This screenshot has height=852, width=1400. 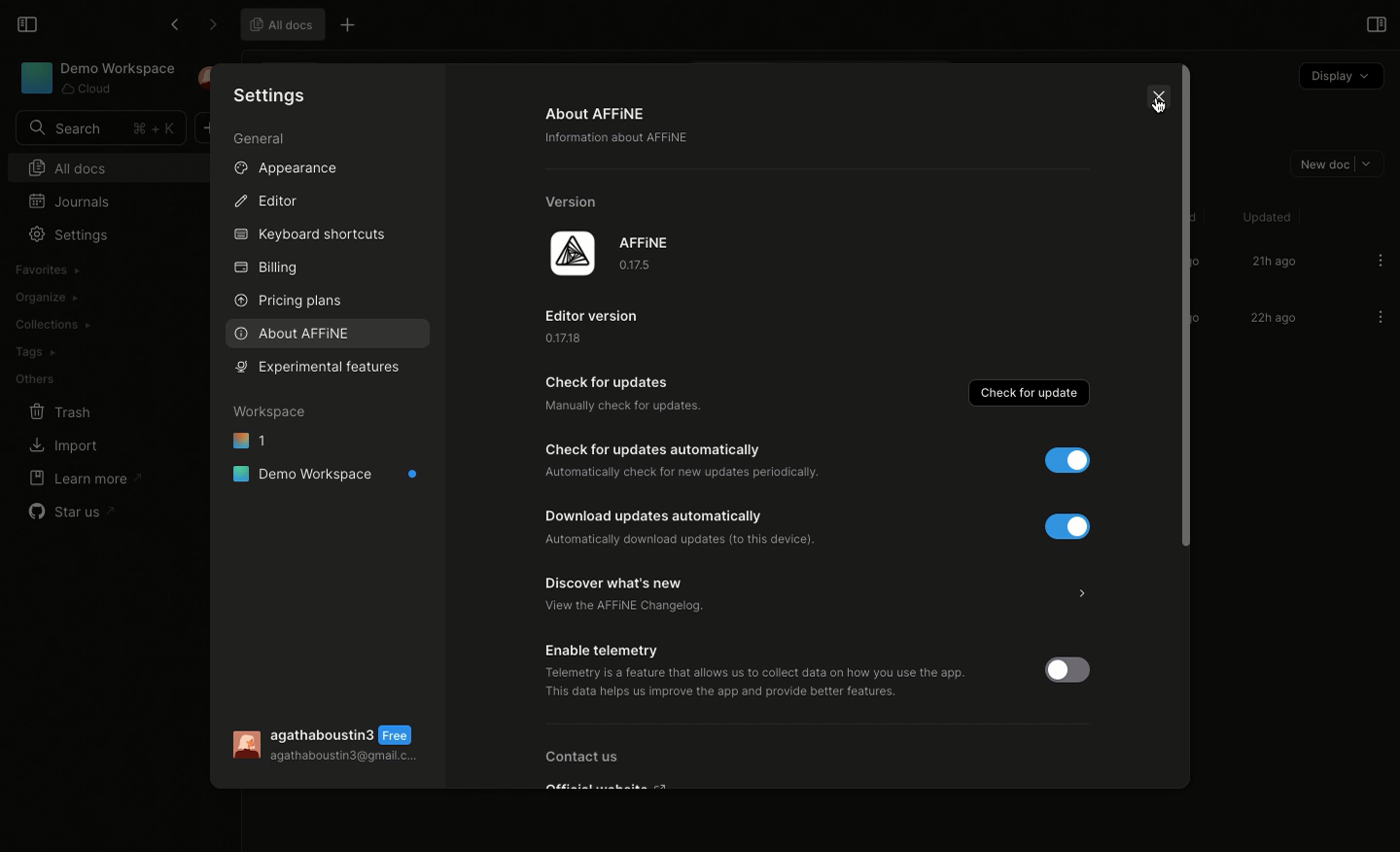 I want to click on Import, so click(x=61, y=447).